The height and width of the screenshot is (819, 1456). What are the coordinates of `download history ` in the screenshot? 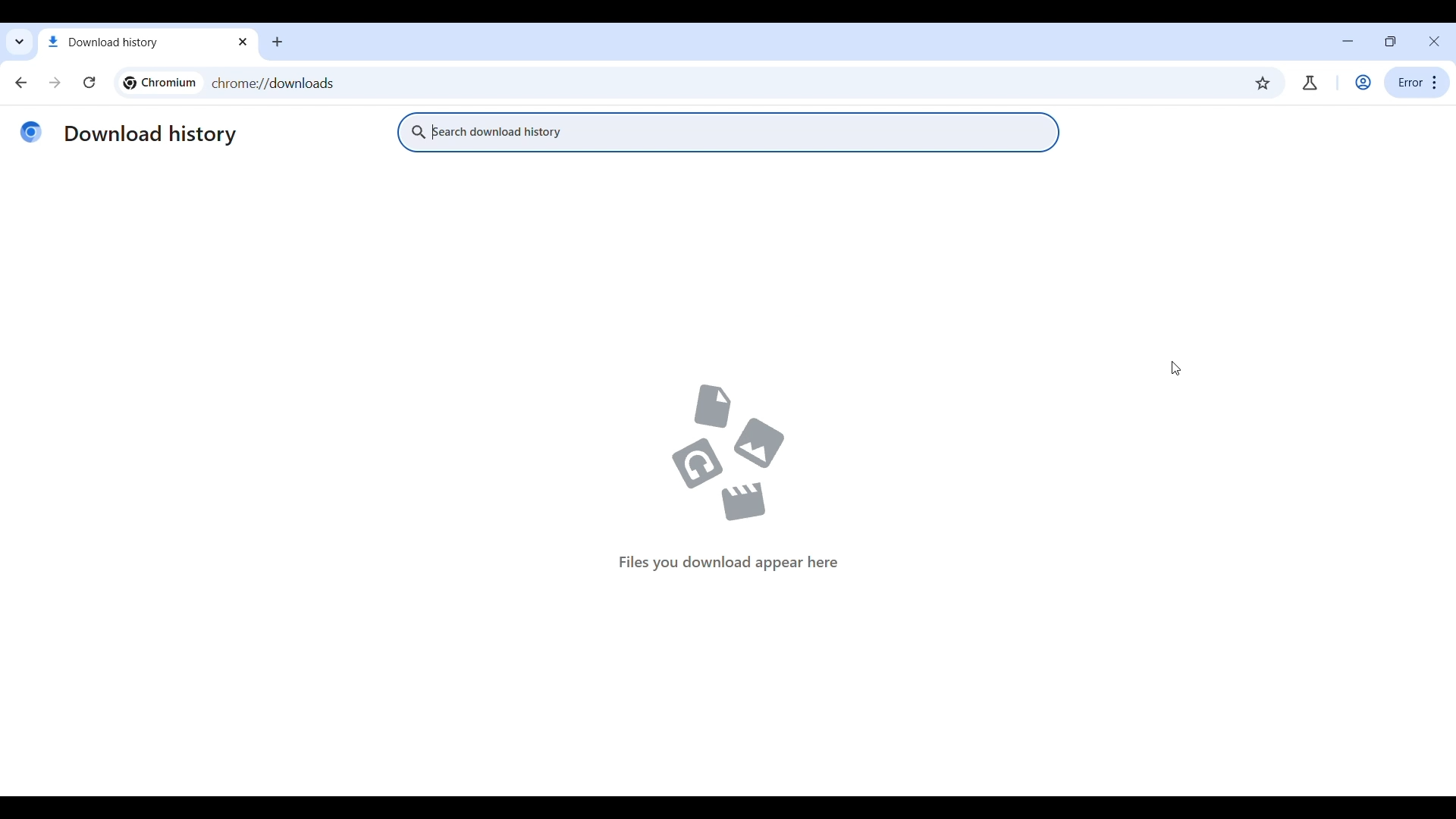 It's located at (130, 42).